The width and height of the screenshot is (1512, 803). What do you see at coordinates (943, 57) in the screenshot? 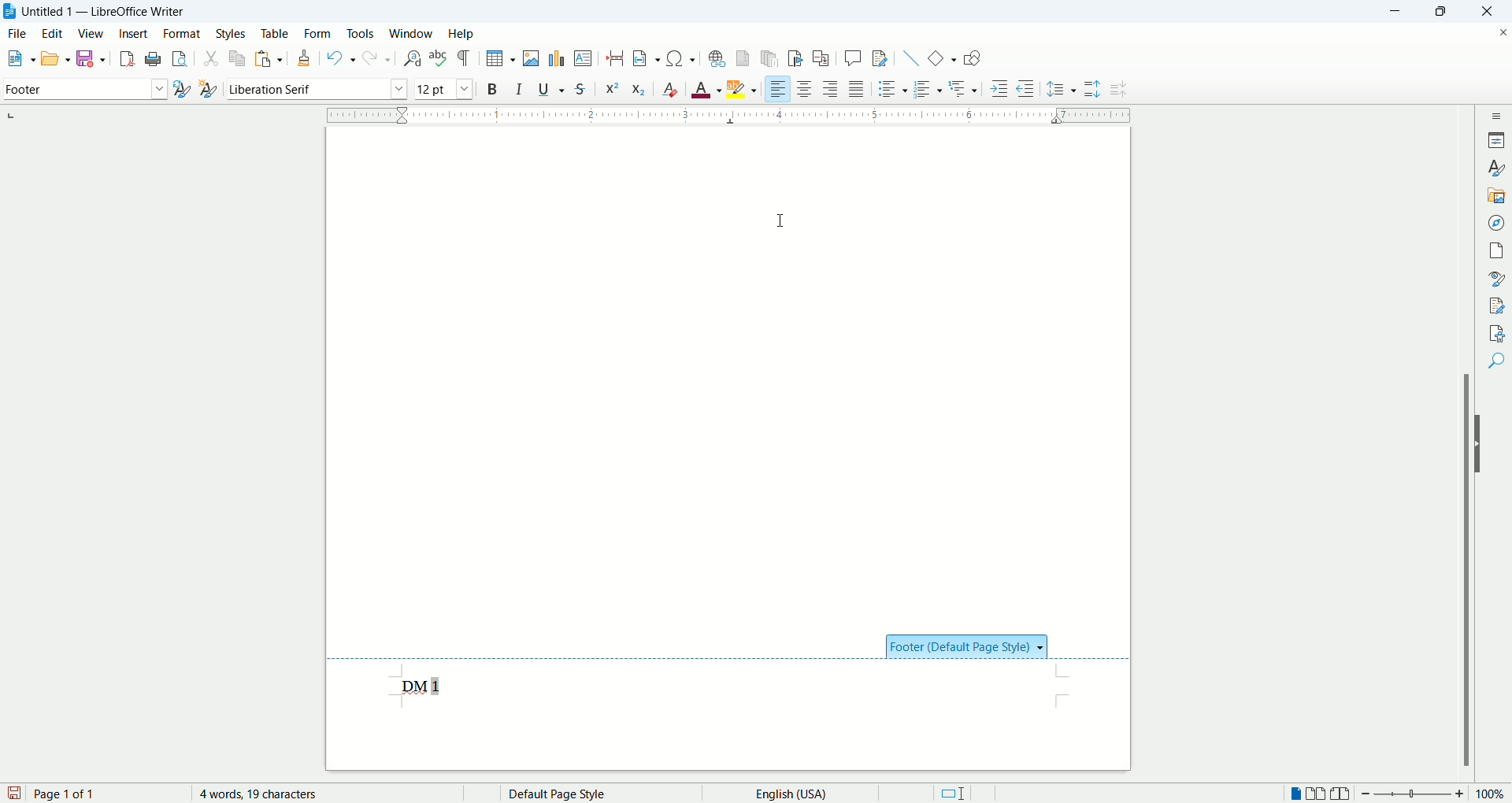
I see `insert basic shapes` at bounding box center [943, 57].